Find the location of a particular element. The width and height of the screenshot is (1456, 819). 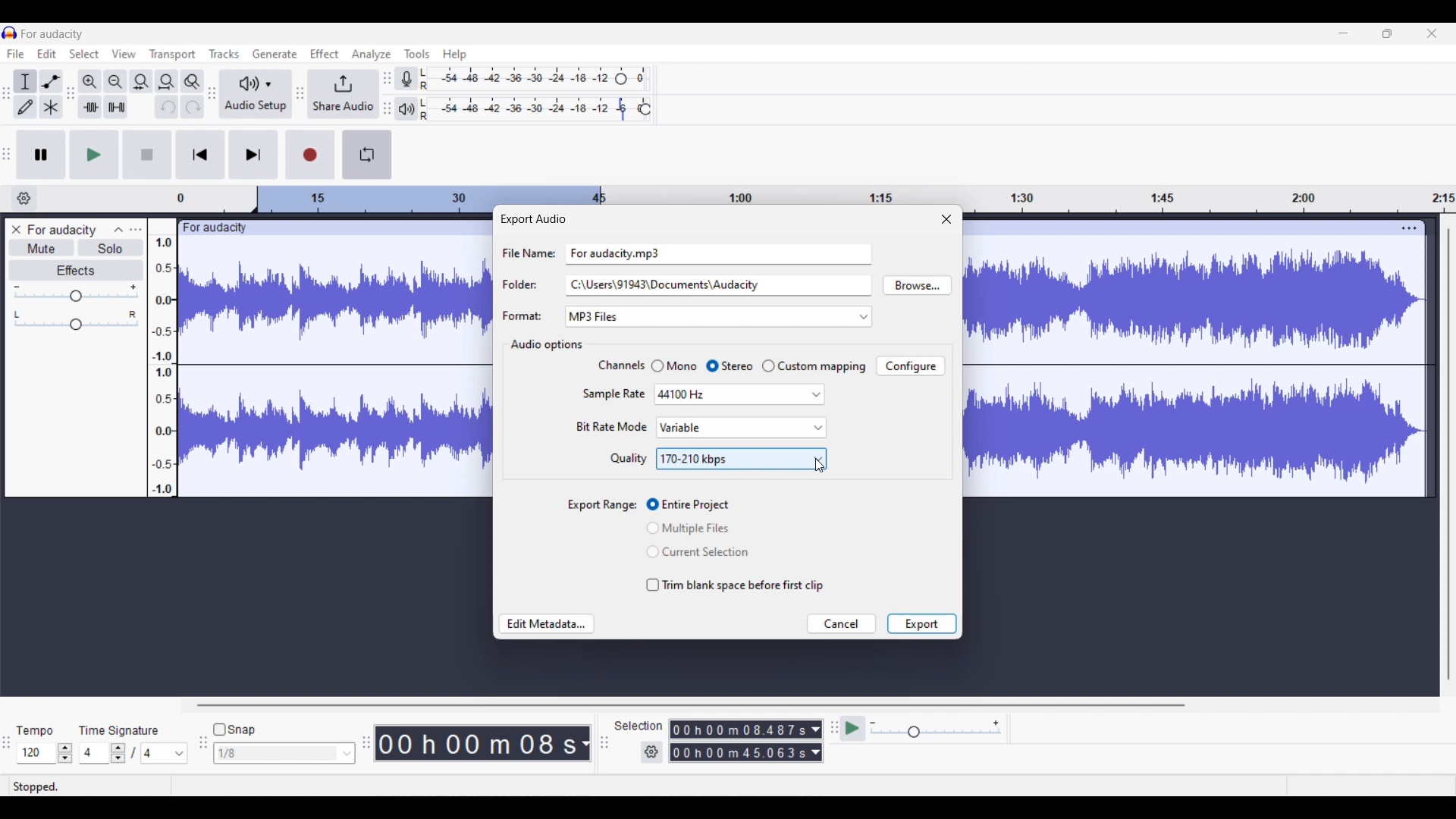

Current selection is located at coordinates (681, 428).